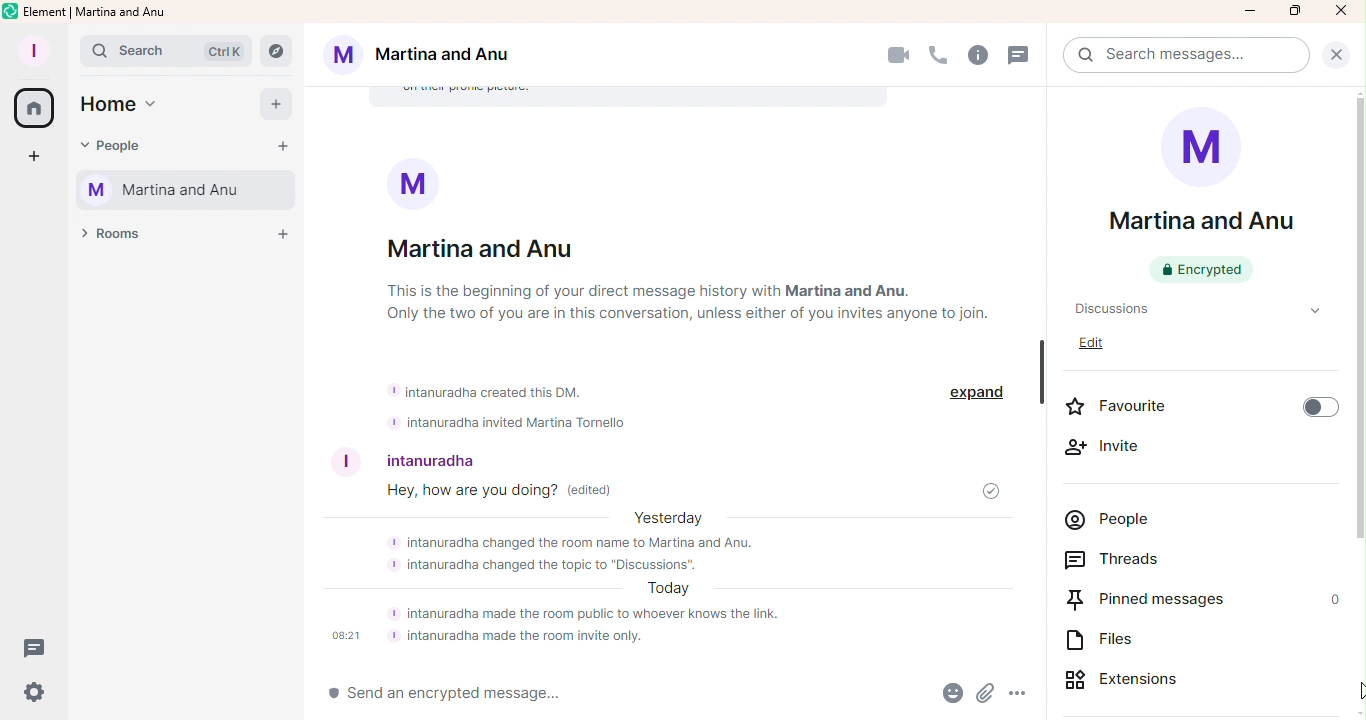  I want to click on expand, so click(980, 392).